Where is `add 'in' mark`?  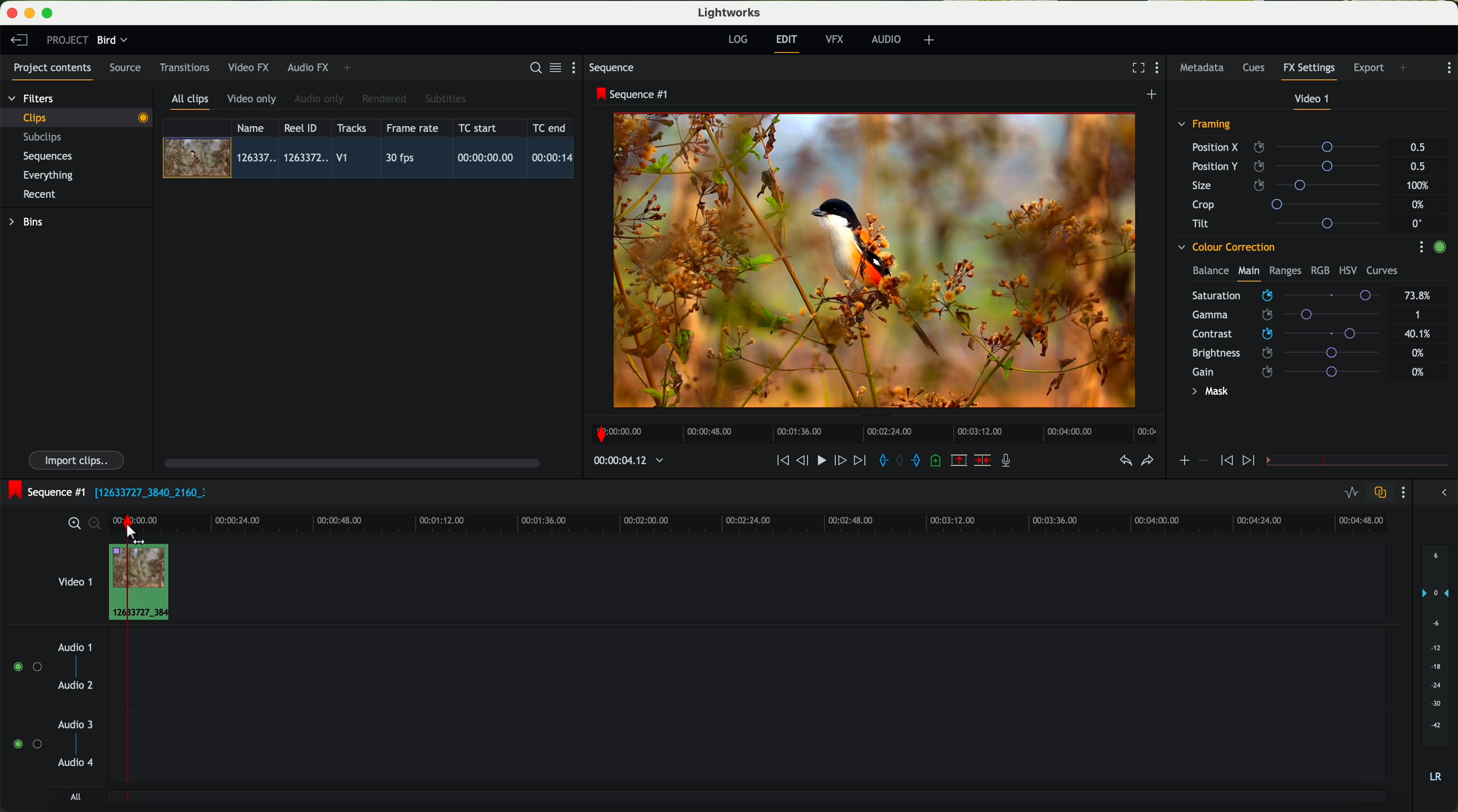 add 'in' mark is located at coordinates (880, 462).